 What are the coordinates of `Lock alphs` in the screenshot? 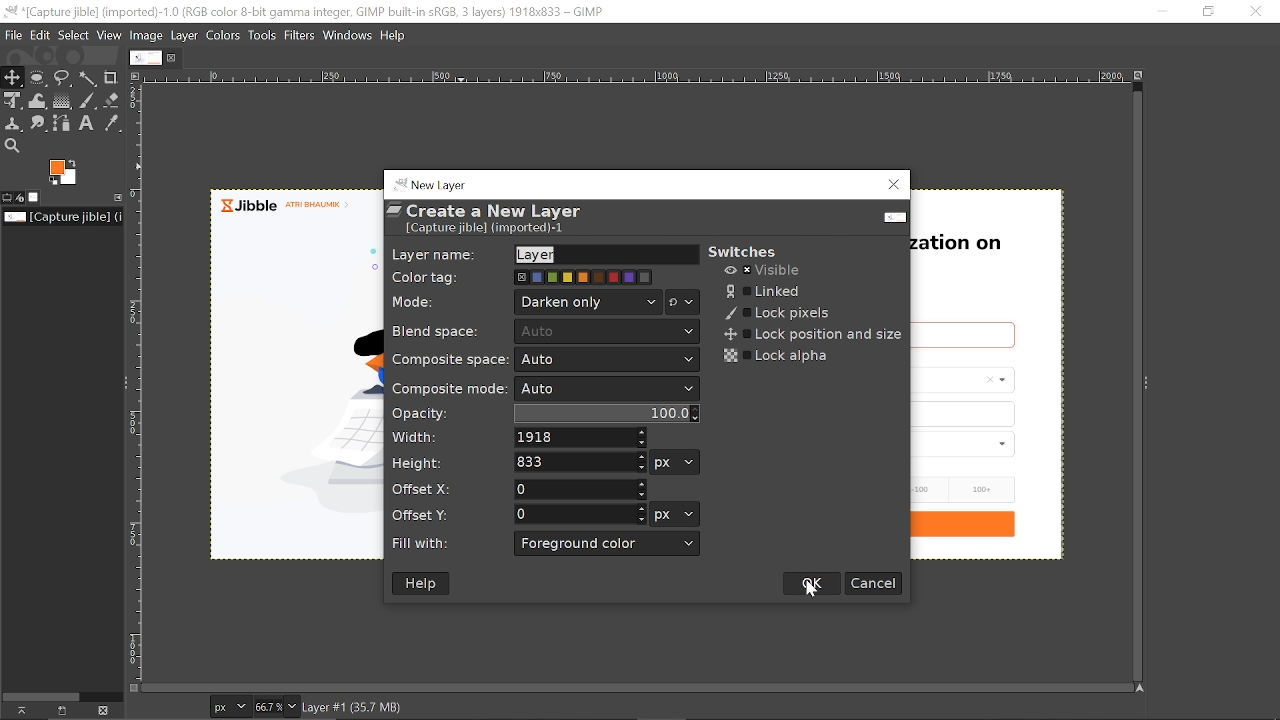 It's located at (778, 355).